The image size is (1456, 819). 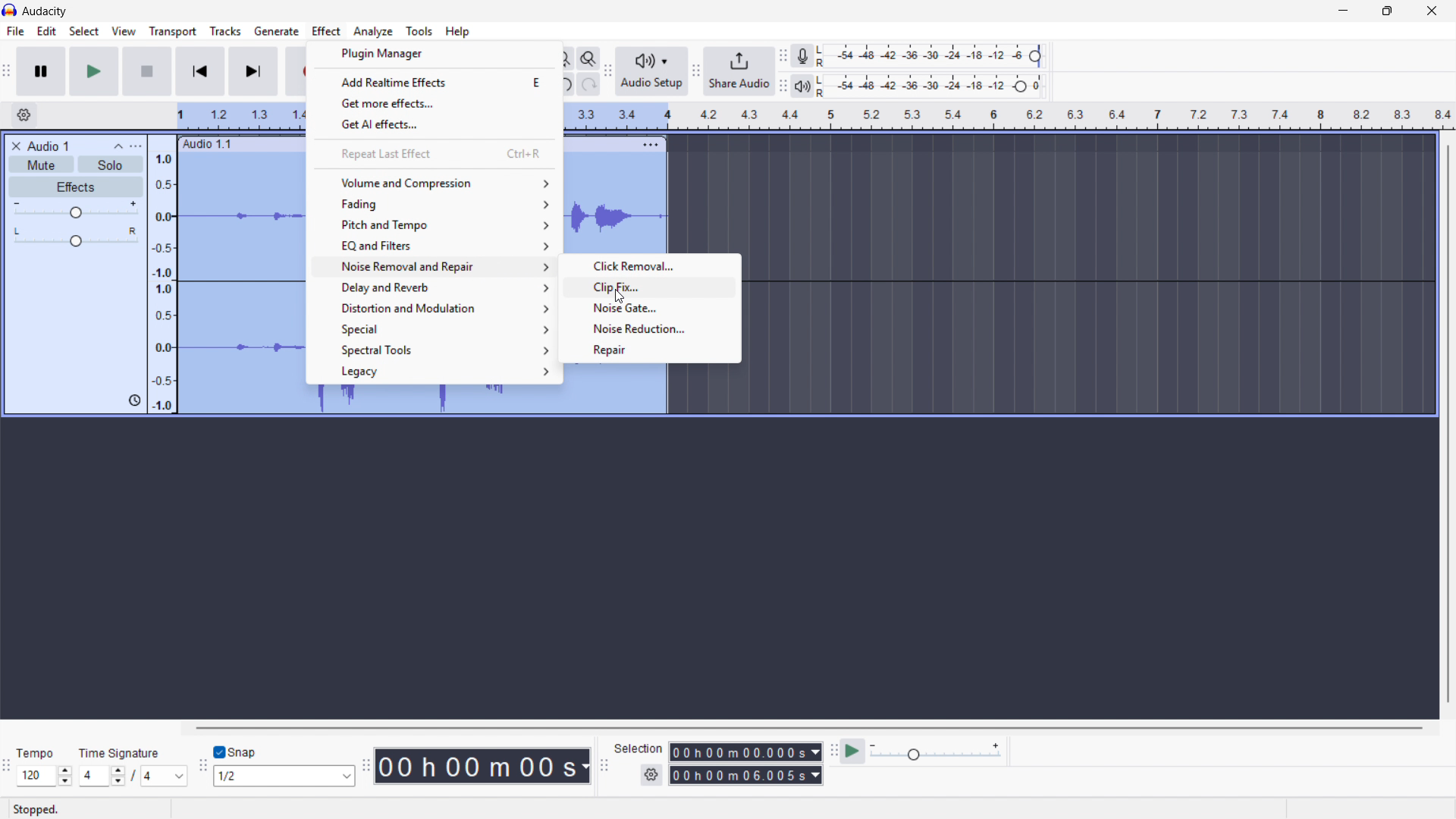 I want to click on minimise, so click(x=1341, y=11).